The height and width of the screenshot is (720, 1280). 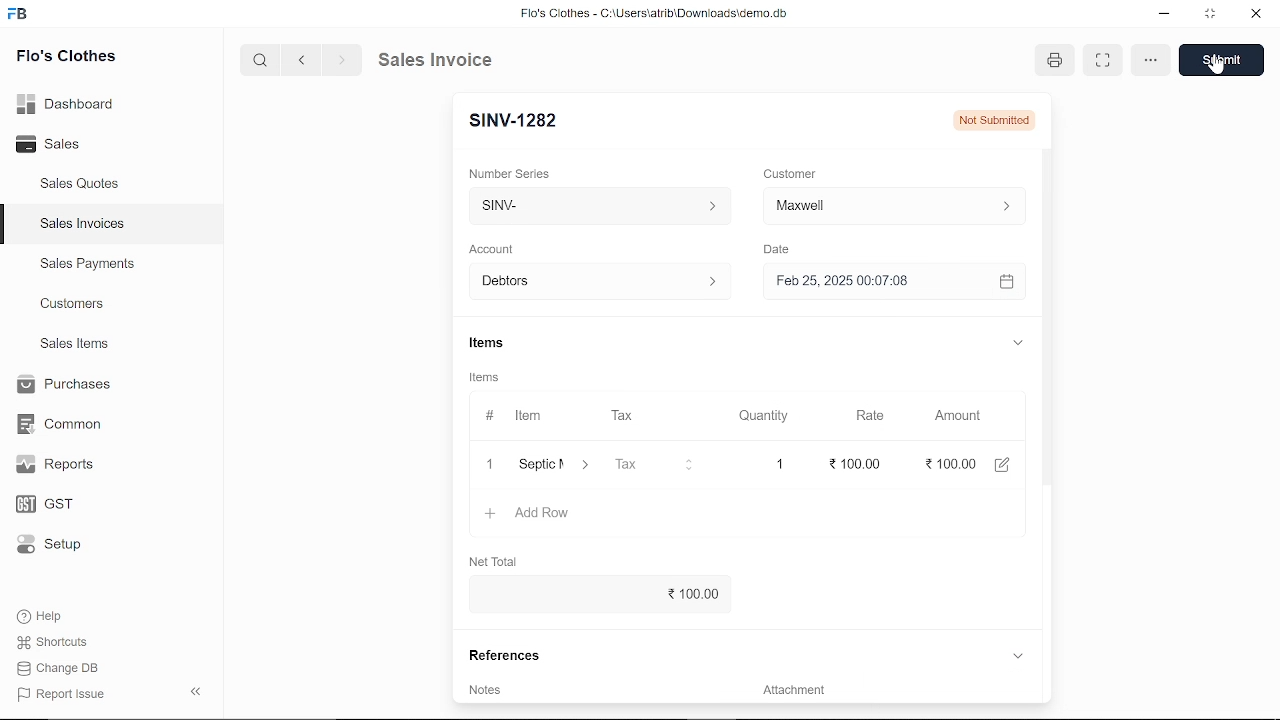 I want to click on Amount, so click(x=957, y=417).